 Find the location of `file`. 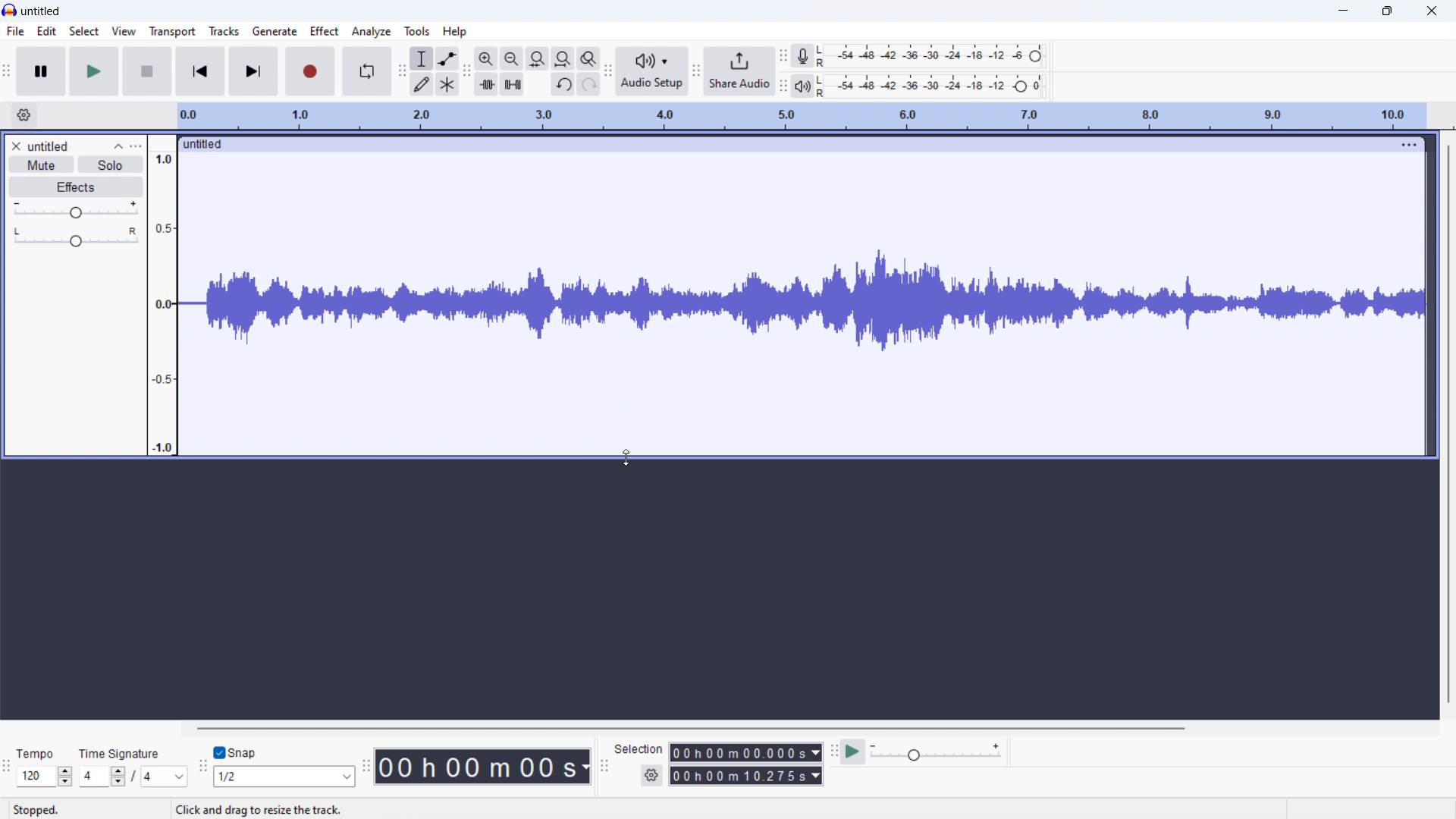

file is located at coordinates (16, 31).